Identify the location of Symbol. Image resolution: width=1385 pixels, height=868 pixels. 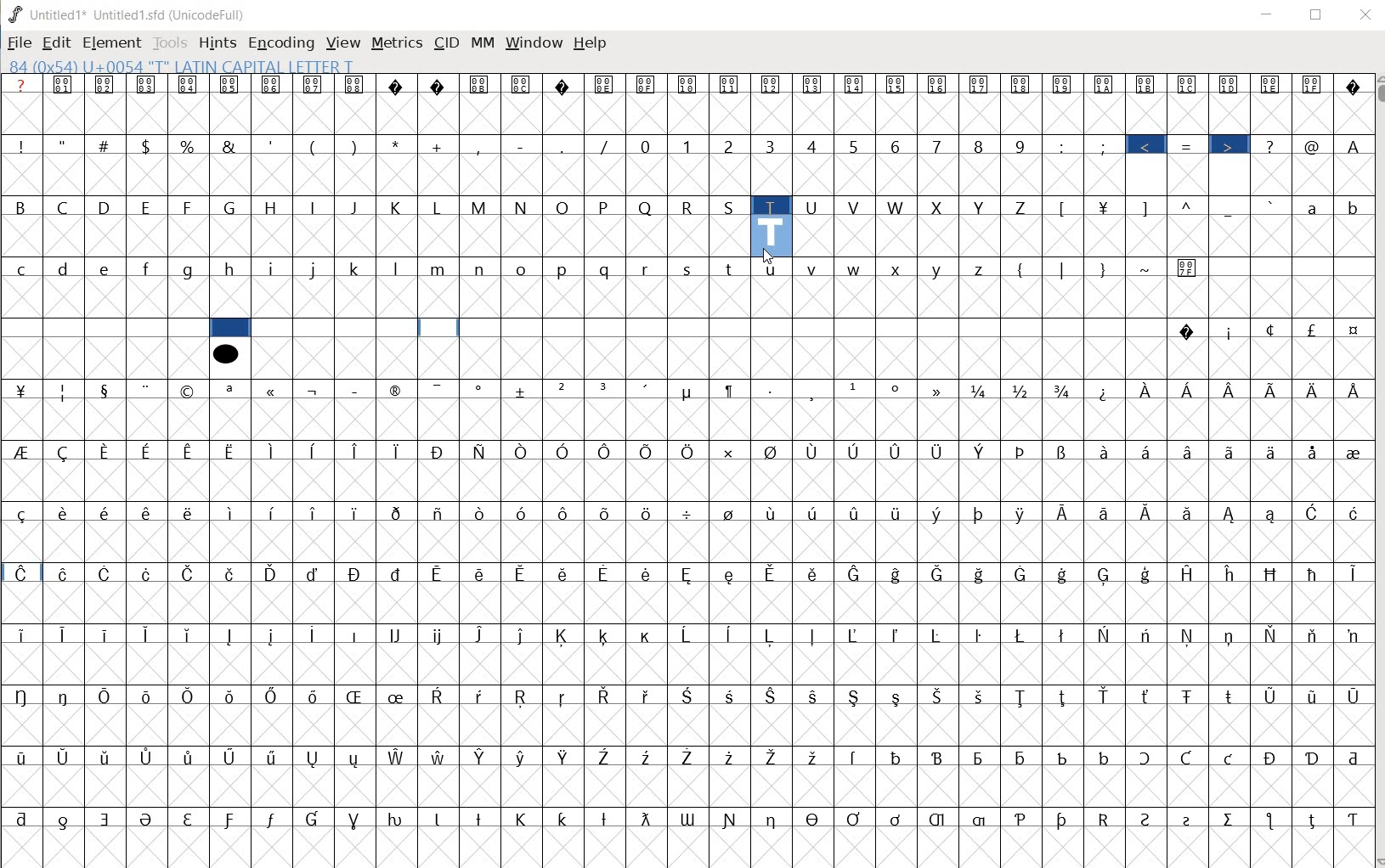
(316, 389).